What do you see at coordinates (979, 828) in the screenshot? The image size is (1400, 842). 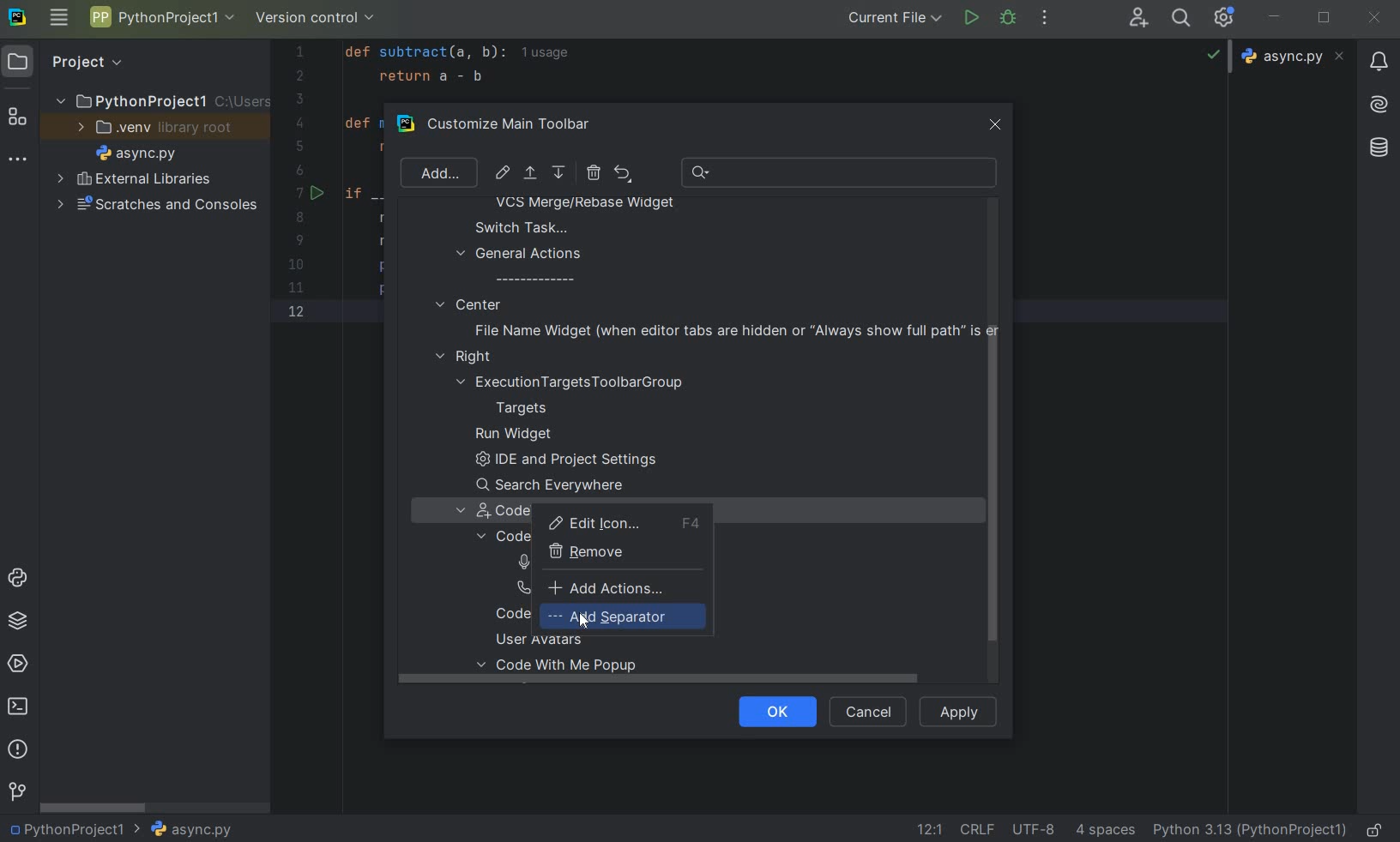 I see `LINE SEPARATOR` at bounding box center [979, 828].